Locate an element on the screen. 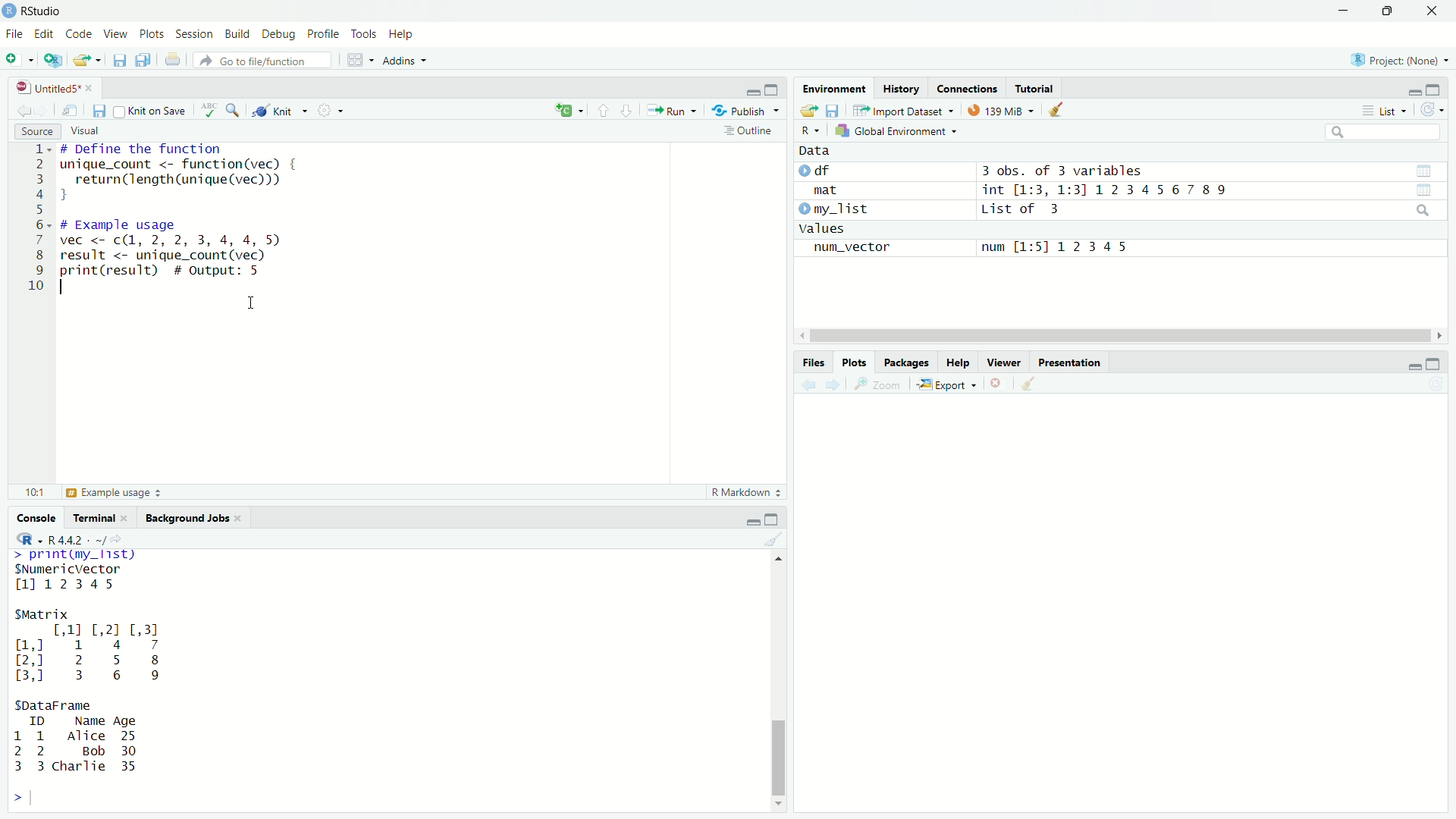  search is located at coordinates (1422, 210).